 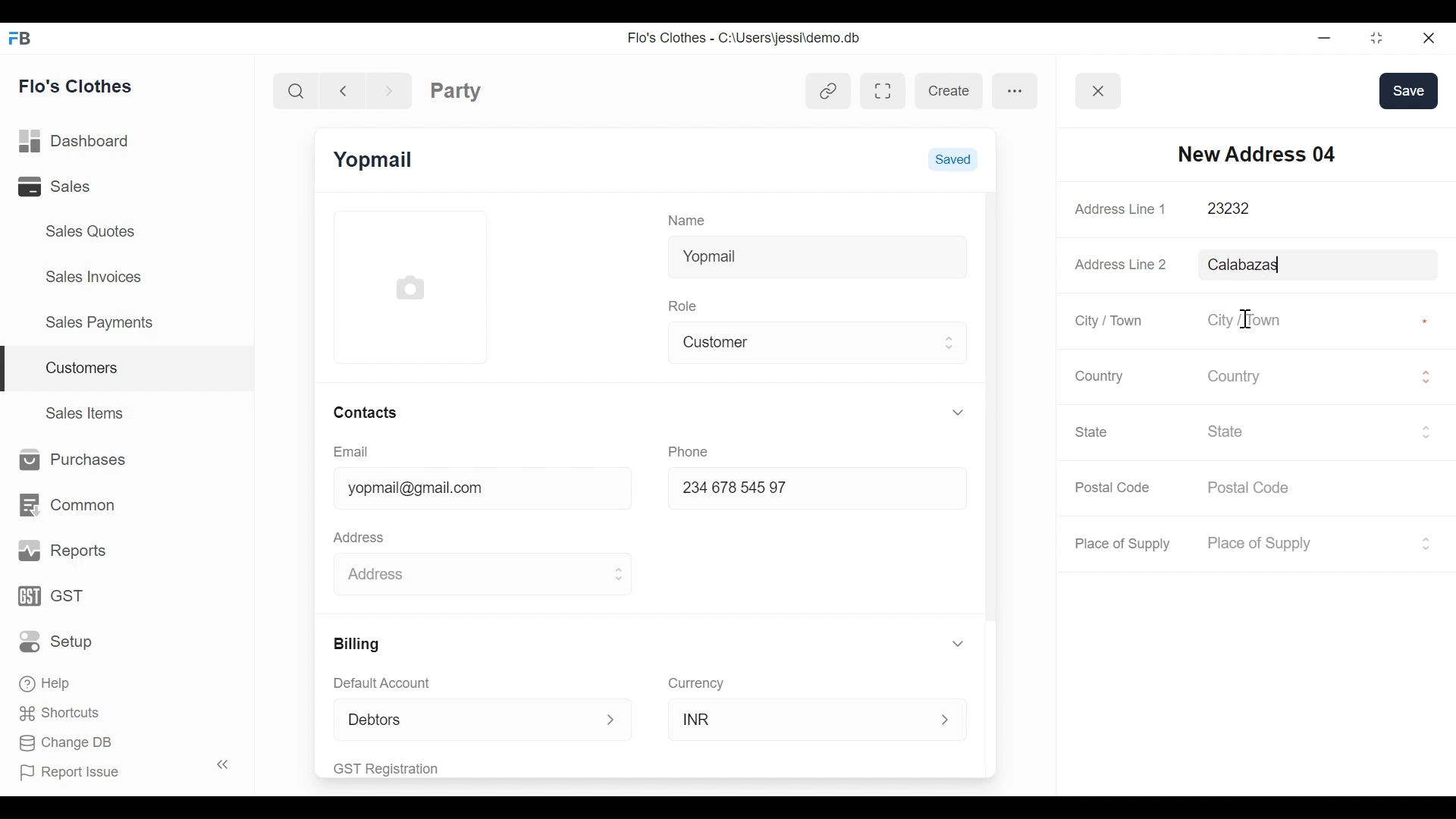 What do you see at coordinates (299, 90) in the screenshot?
I see `Search` at bounding box center [299, 90].